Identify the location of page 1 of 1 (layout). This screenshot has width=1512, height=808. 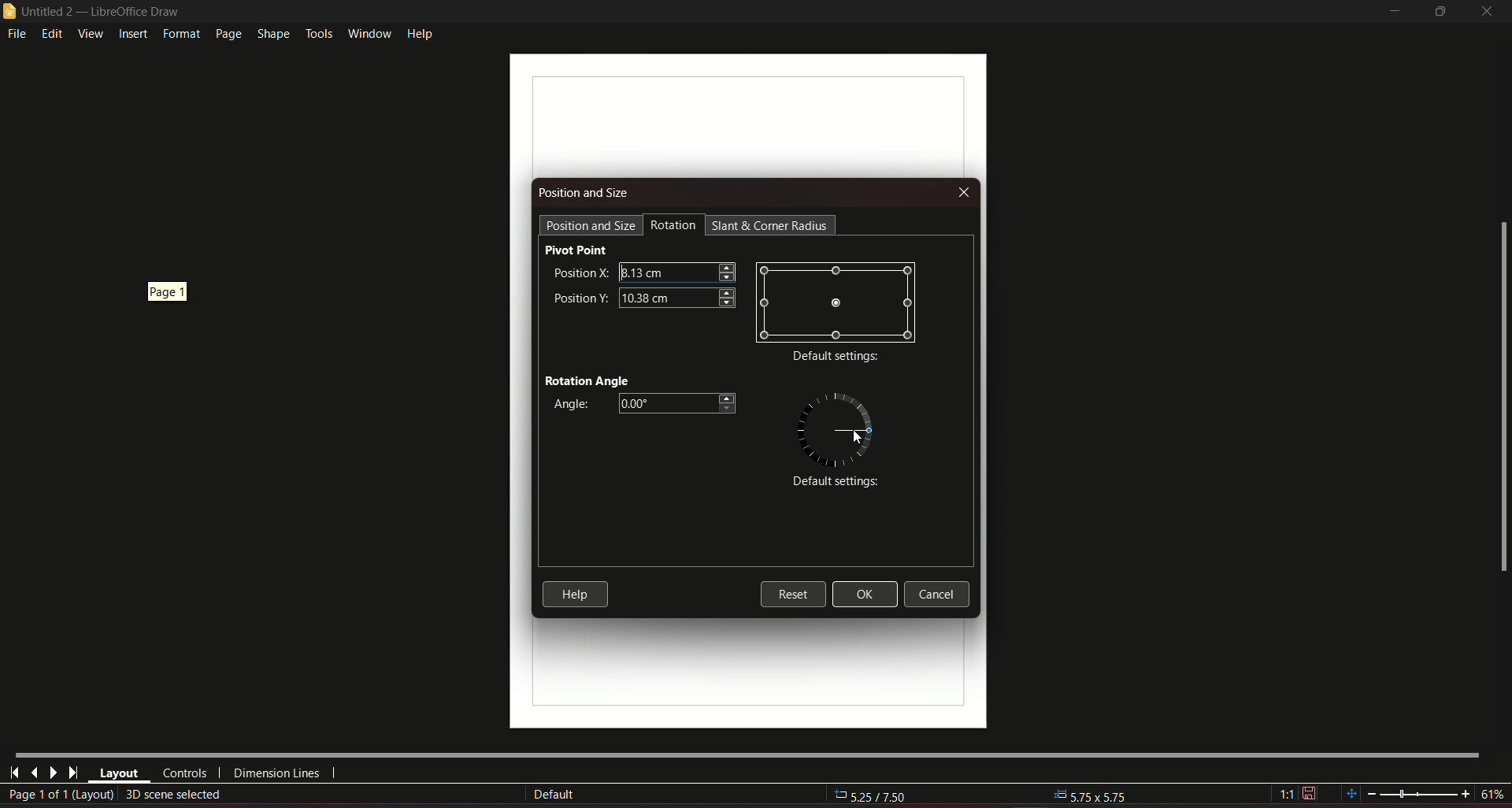
(60, 795).